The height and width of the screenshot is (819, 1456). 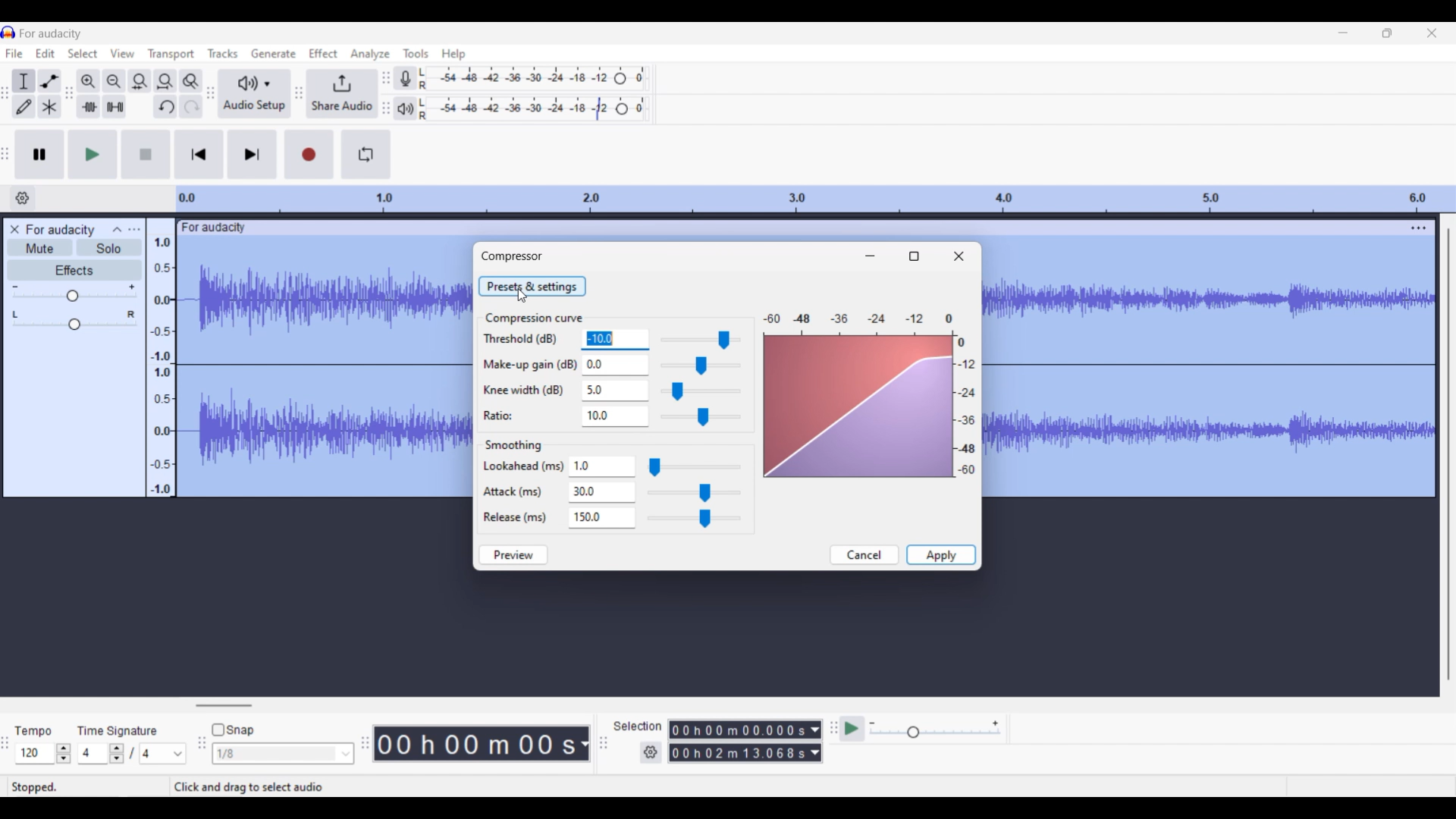 I want to click on File, so click(x=14, y=53).